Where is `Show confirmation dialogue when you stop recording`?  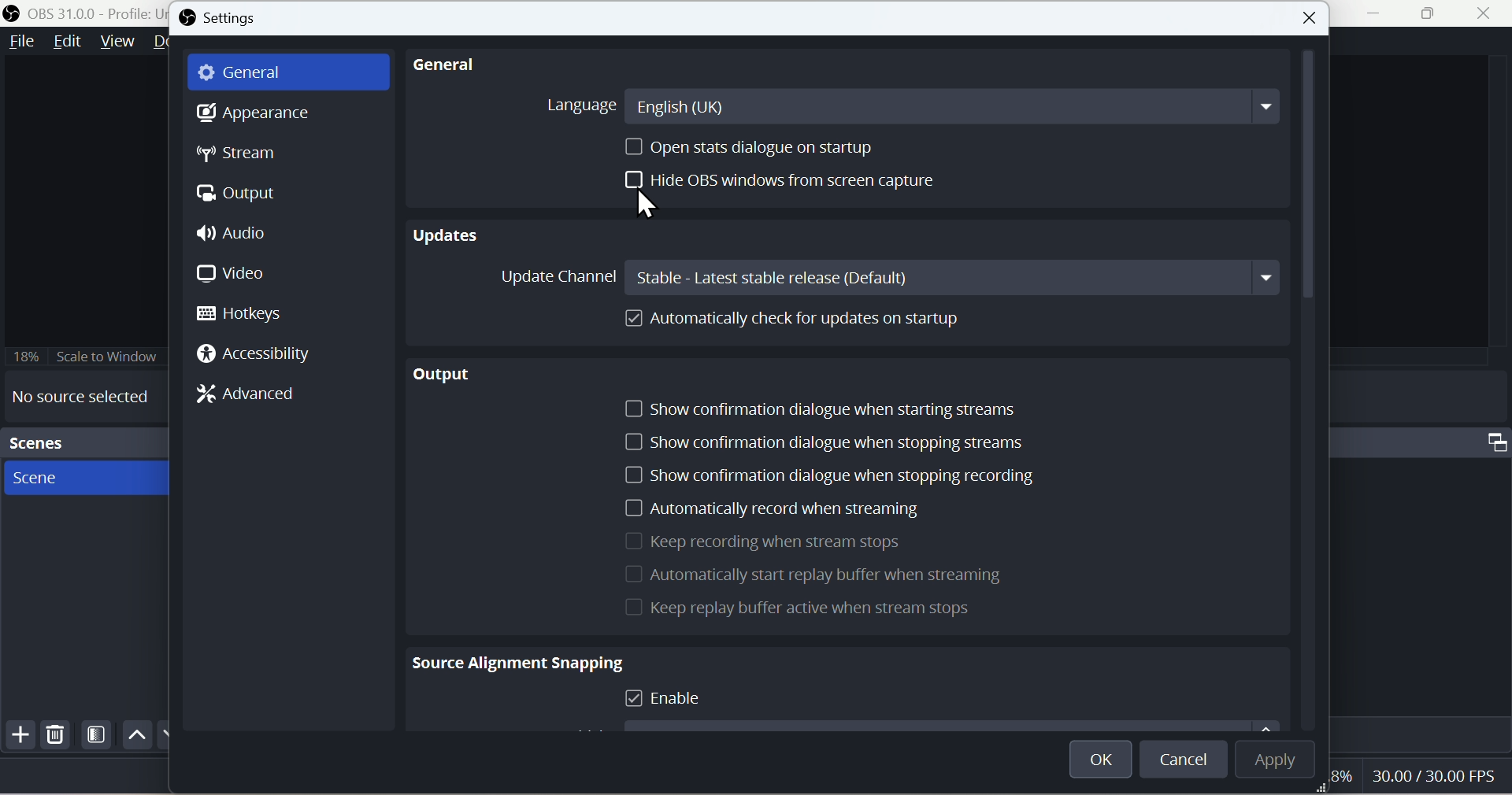
Show confirmation dialogue when you stop recording is located at coordinates (823, 475).